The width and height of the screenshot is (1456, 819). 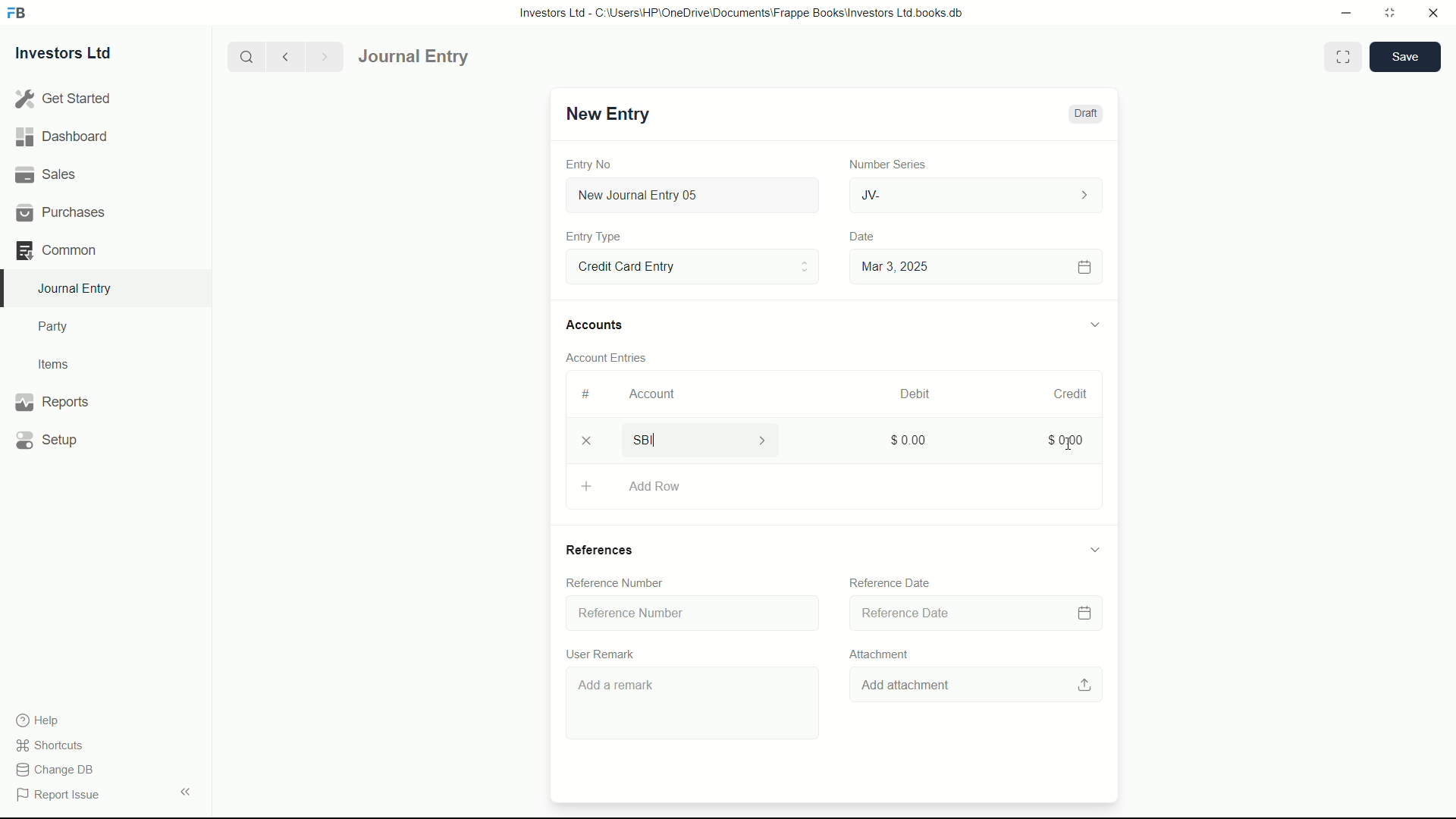 I want to click on Draft, so click(x=1084, y=114).